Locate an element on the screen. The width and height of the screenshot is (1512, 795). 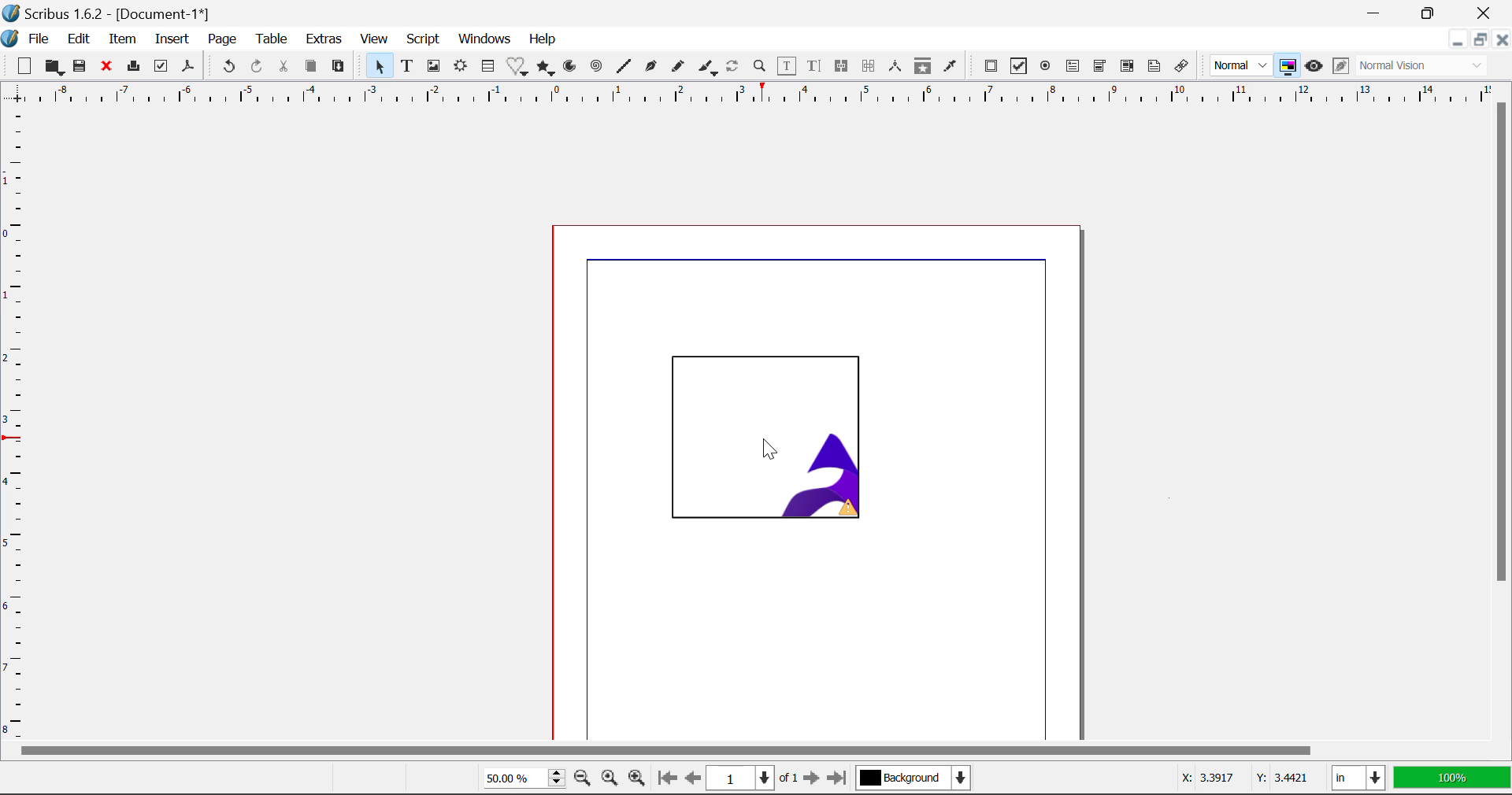
Search is located at coordinates (760, 67).